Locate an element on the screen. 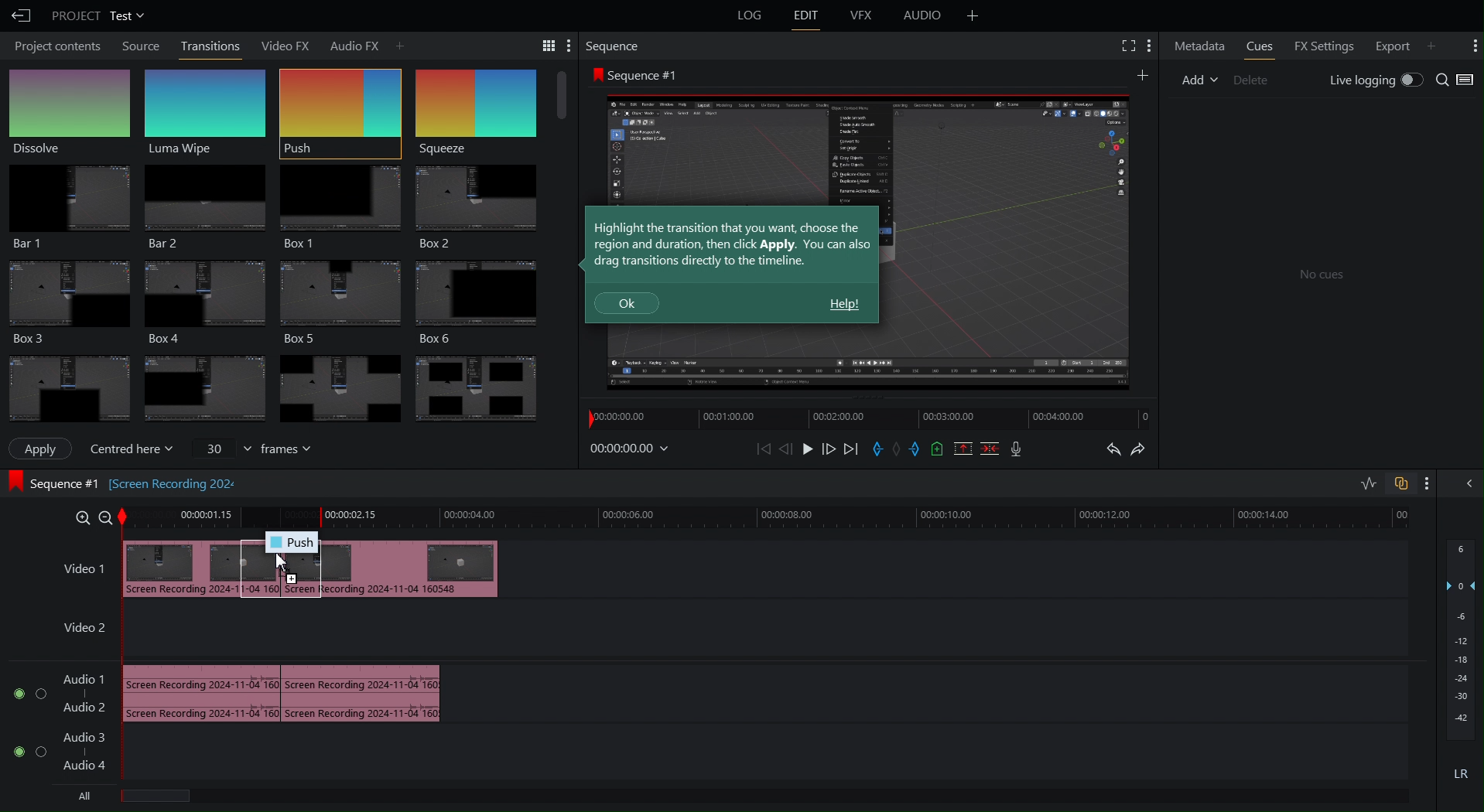  Cursor is located at coordinates (279, 565).